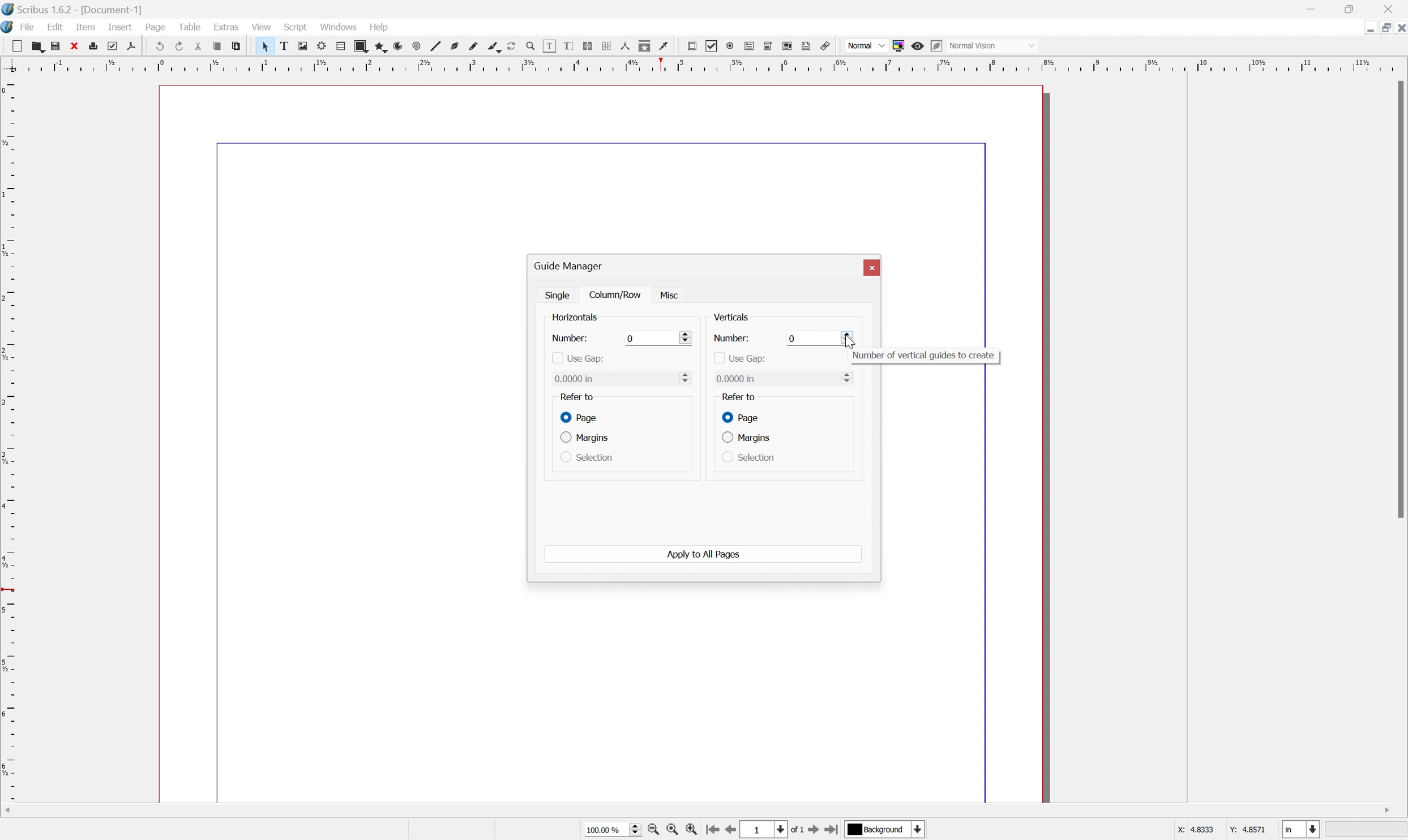 This screenshot has width=1408, height=840. What do you see at coordinates (338, 28) in the screenshot?
I see `windows` at bounding box center [338, 28].